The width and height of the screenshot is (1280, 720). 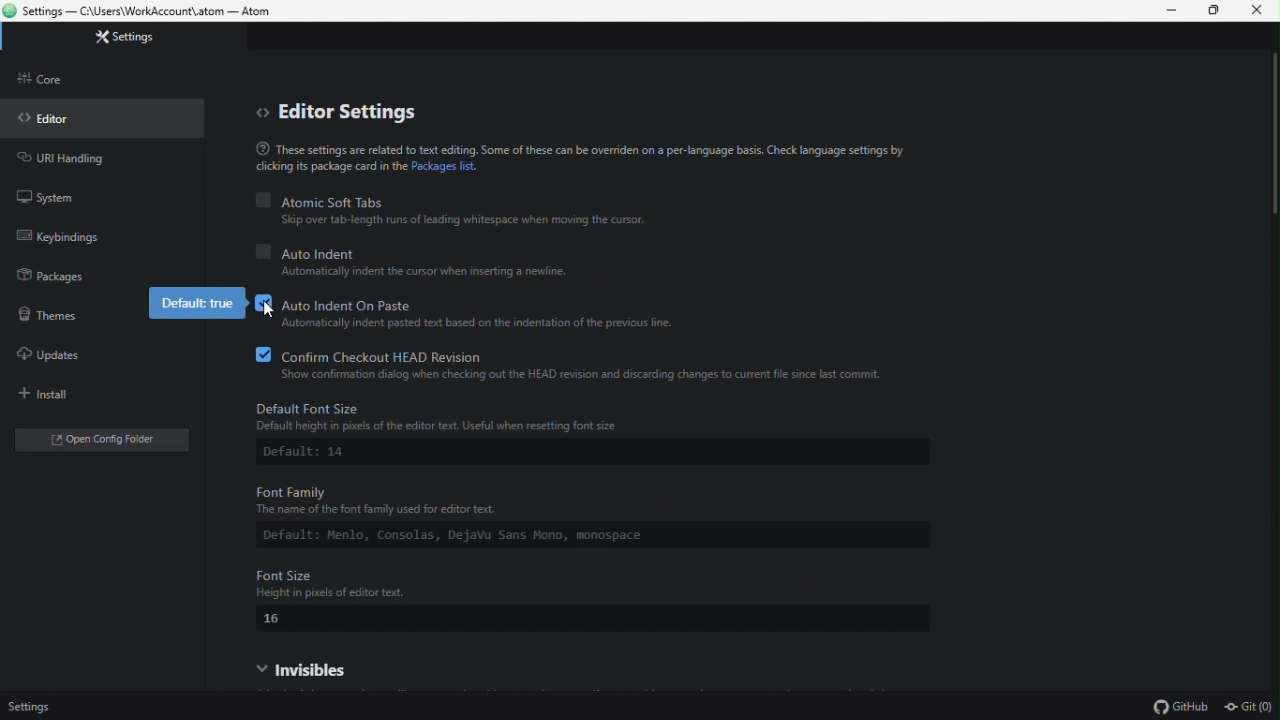 What do you see at coordinates (59, 316) in the screenshot?
I see `Themes` at bounding box center [59, 316].